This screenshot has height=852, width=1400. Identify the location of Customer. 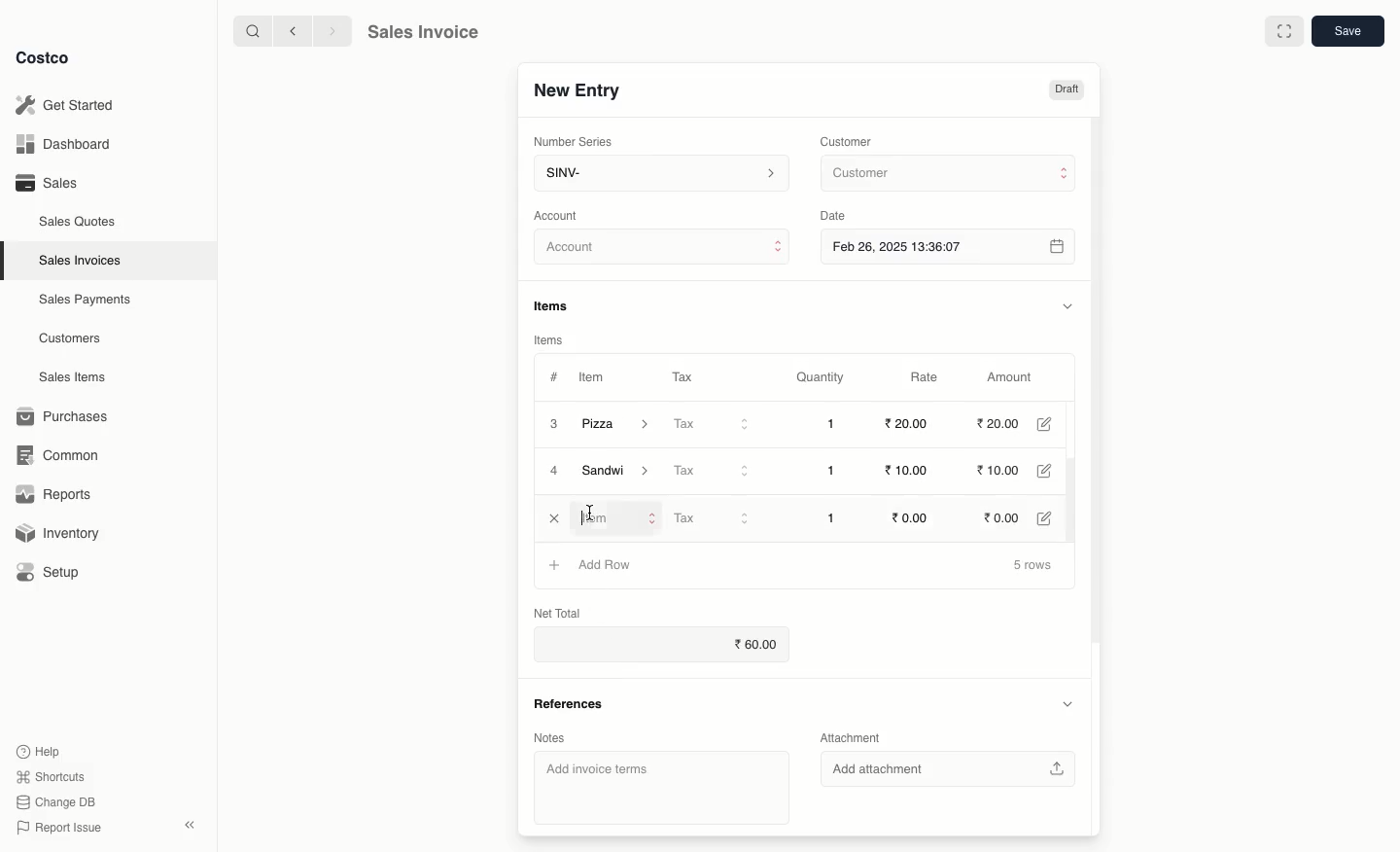
(946, 174).